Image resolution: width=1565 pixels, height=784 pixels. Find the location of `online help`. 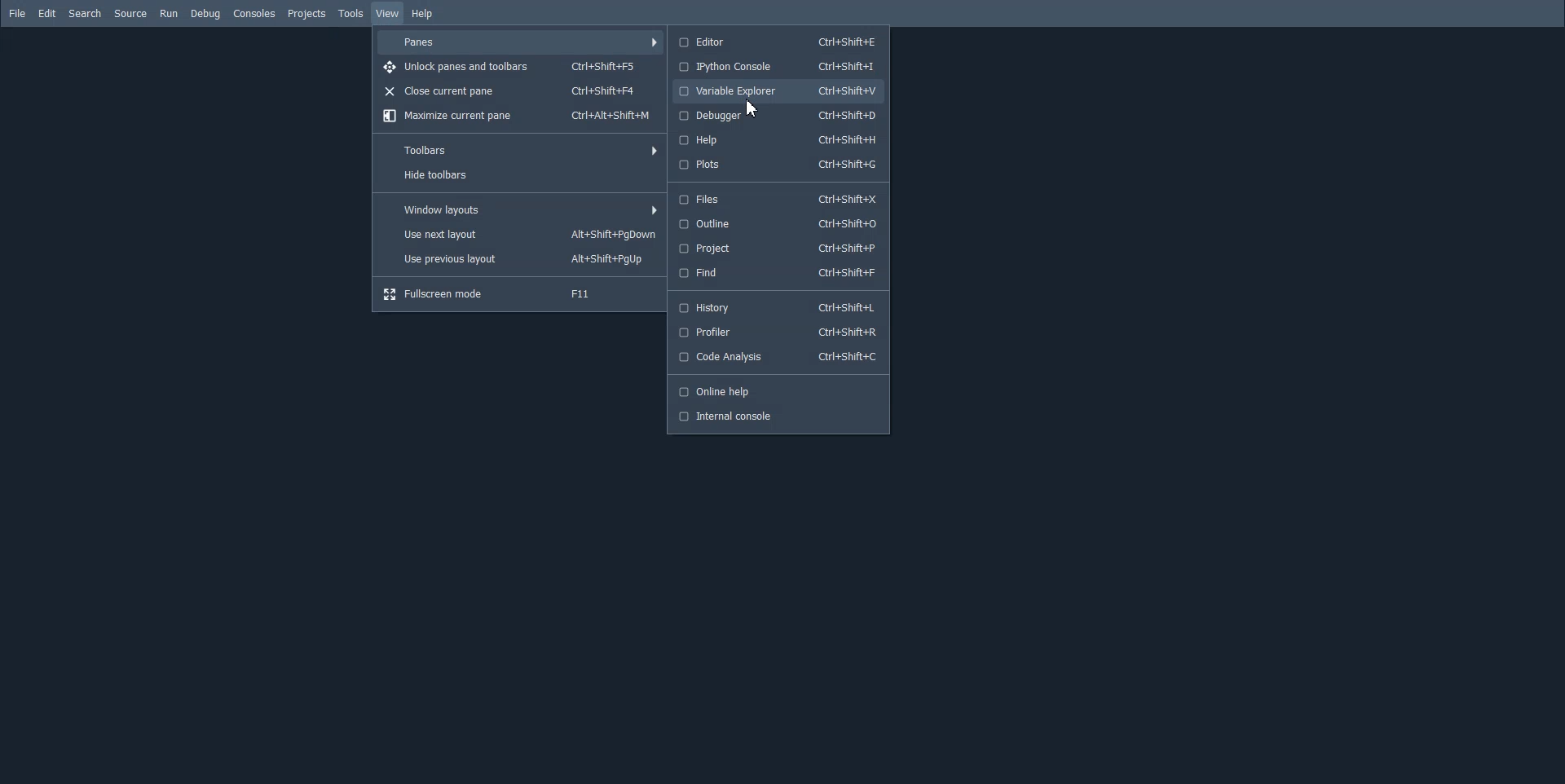

online help is located at coordinates (774, 390).